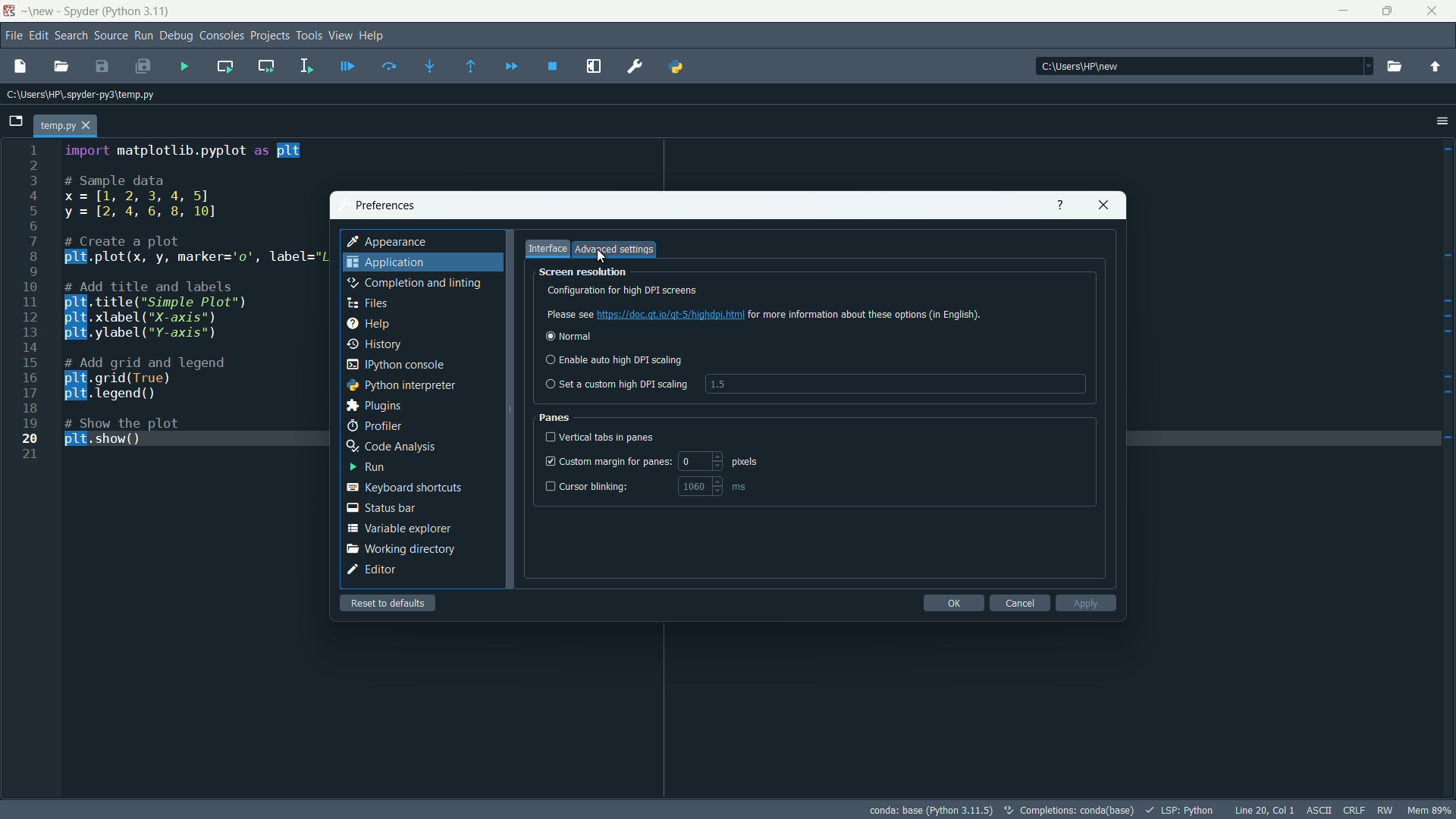  Describe the element at coordinates (103, 67) in the screenshot. I see `save file` at that location.